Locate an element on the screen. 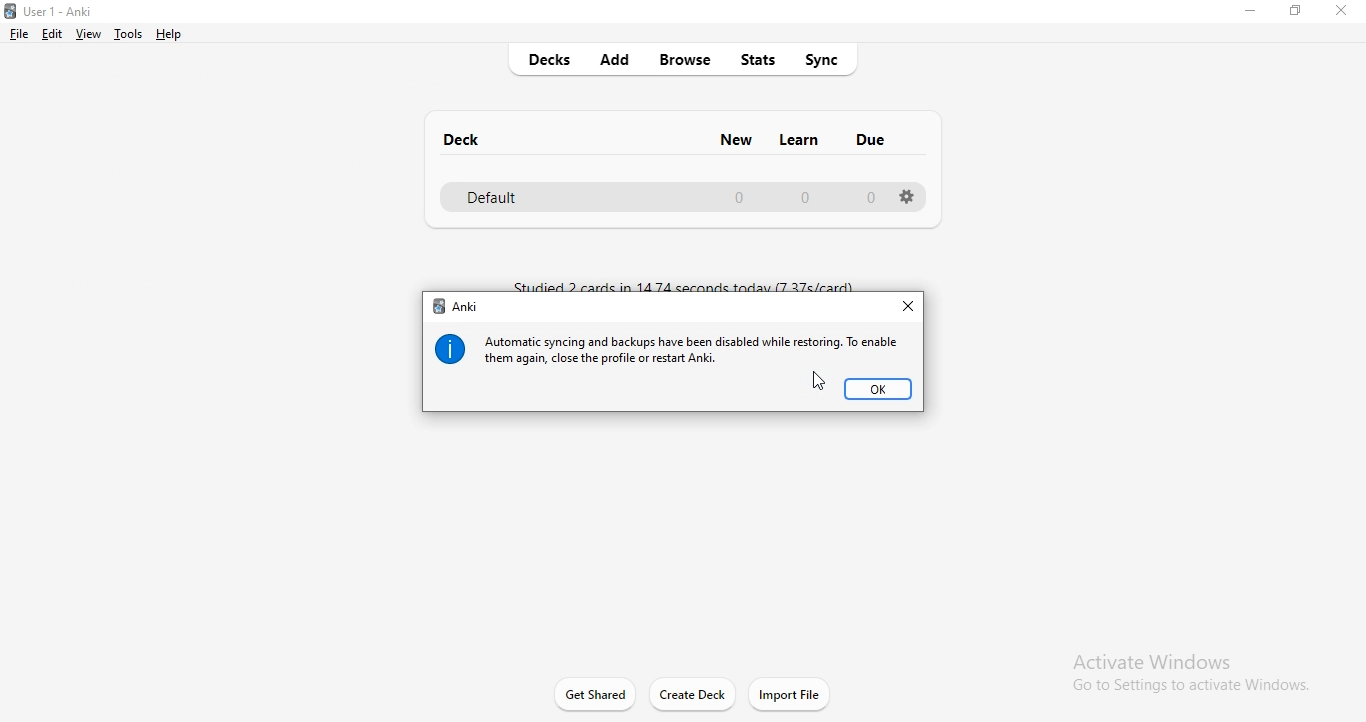  create deck is located at coordinates (694, 694).